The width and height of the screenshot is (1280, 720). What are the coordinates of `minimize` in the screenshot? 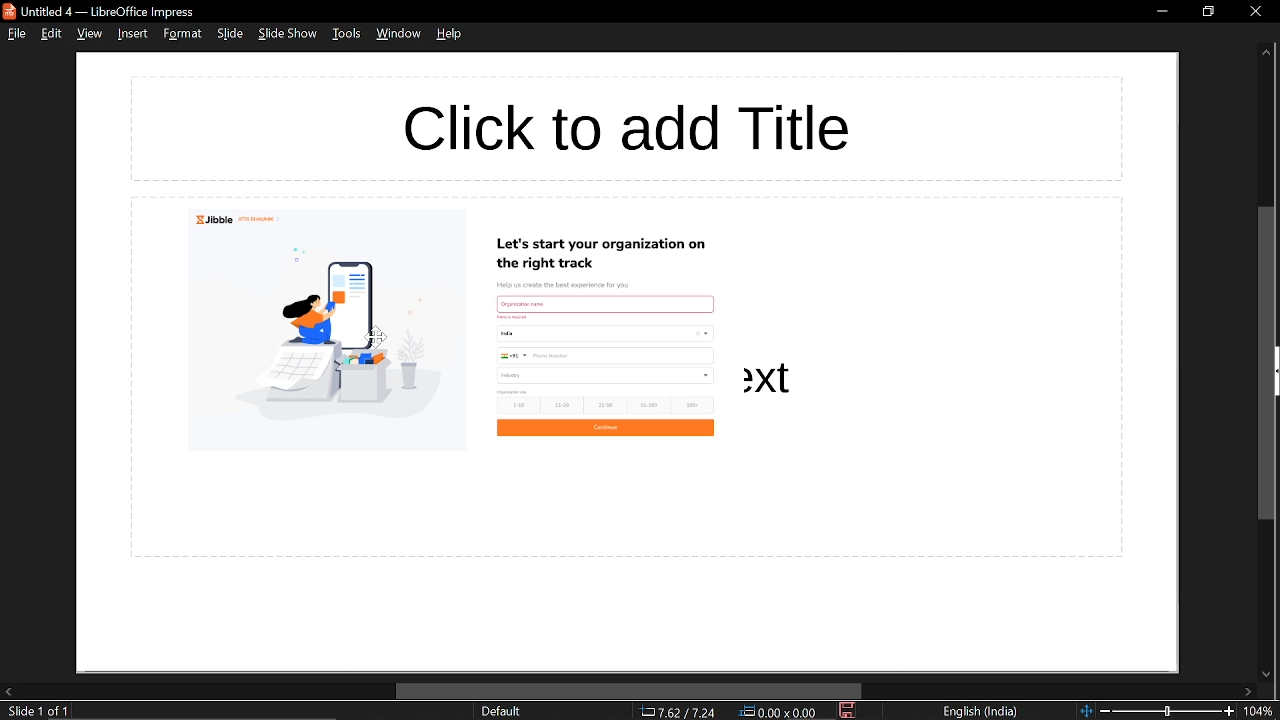 It's located at (1162, 10).